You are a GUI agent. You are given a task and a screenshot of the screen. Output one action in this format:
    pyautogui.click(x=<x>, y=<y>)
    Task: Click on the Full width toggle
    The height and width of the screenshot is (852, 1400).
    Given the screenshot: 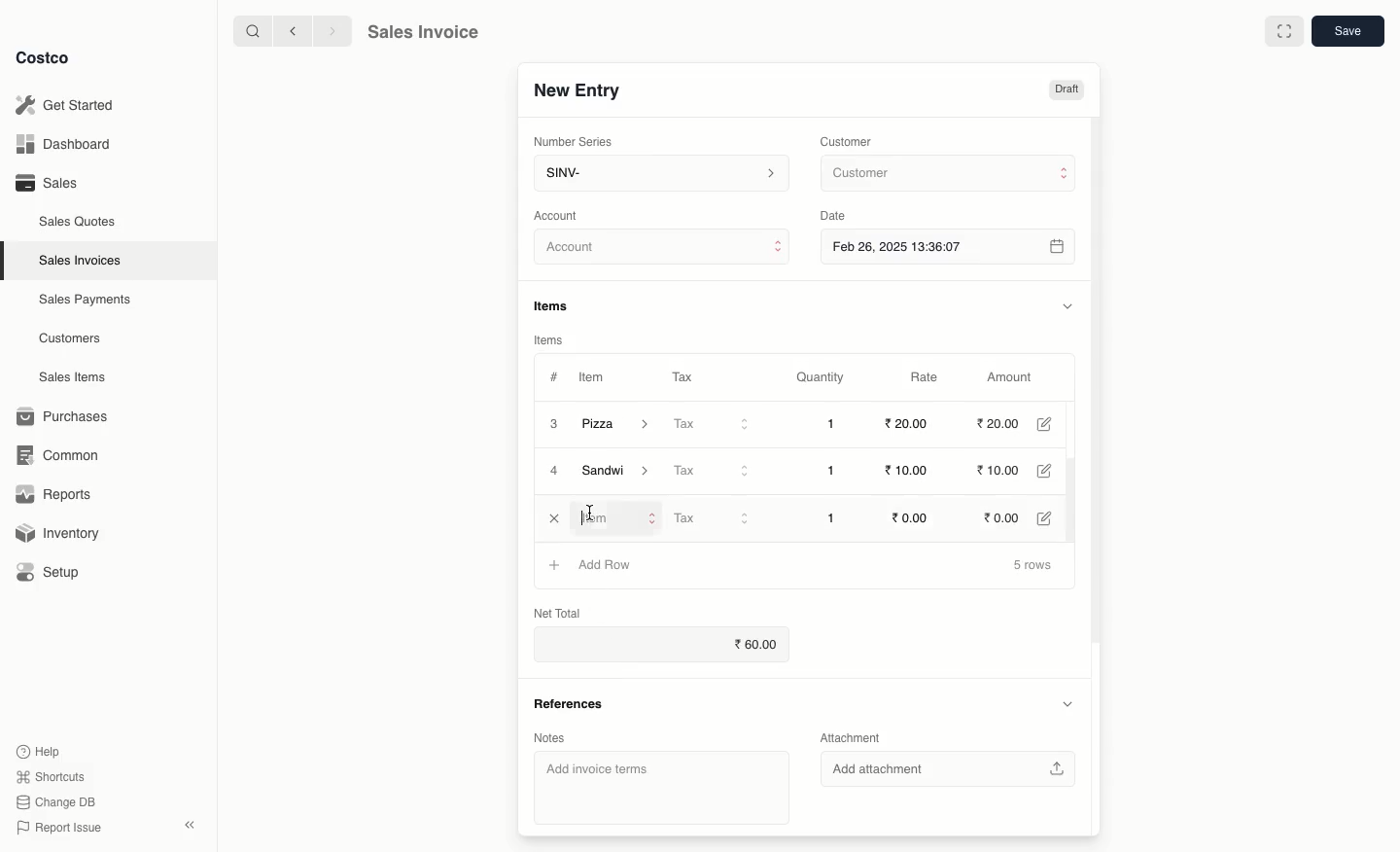 What is the action you would take?
    pyautogui.click(x=1282, y=32)
    